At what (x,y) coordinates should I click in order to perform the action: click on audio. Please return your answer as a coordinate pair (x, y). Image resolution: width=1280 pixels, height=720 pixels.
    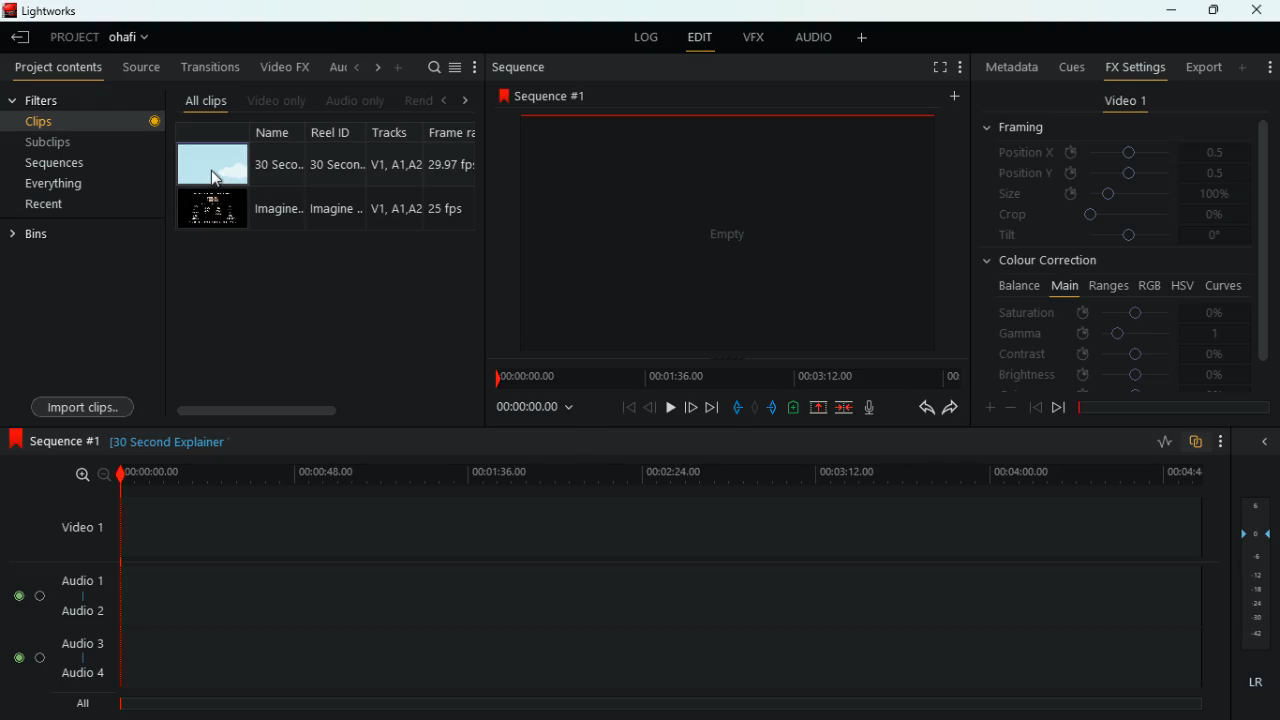
    Looking at the image, I should click on (352, 100).